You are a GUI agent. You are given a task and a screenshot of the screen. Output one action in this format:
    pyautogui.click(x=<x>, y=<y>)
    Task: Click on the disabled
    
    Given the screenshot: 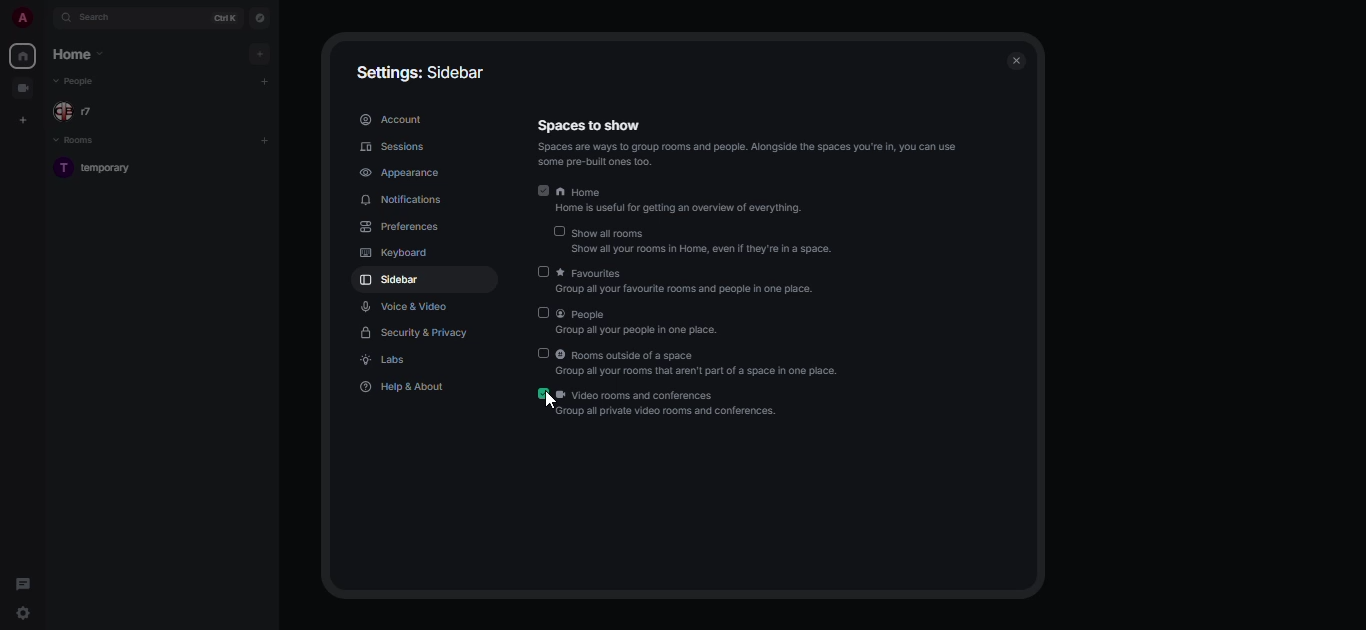 What is the action you would take?
    pyautogui.click(x=544, y=313)
    